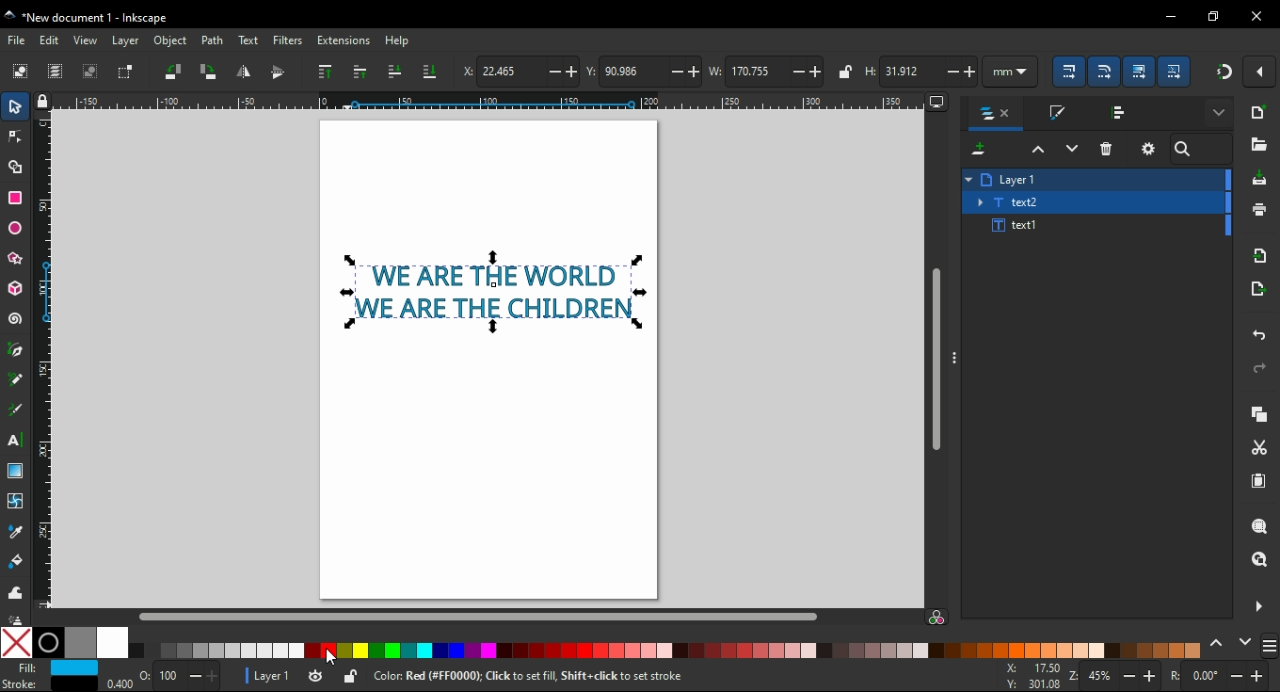  What do you see at coordinates (400, 41) in the screenshot?
I see `help` at bounding box center [400, 41].